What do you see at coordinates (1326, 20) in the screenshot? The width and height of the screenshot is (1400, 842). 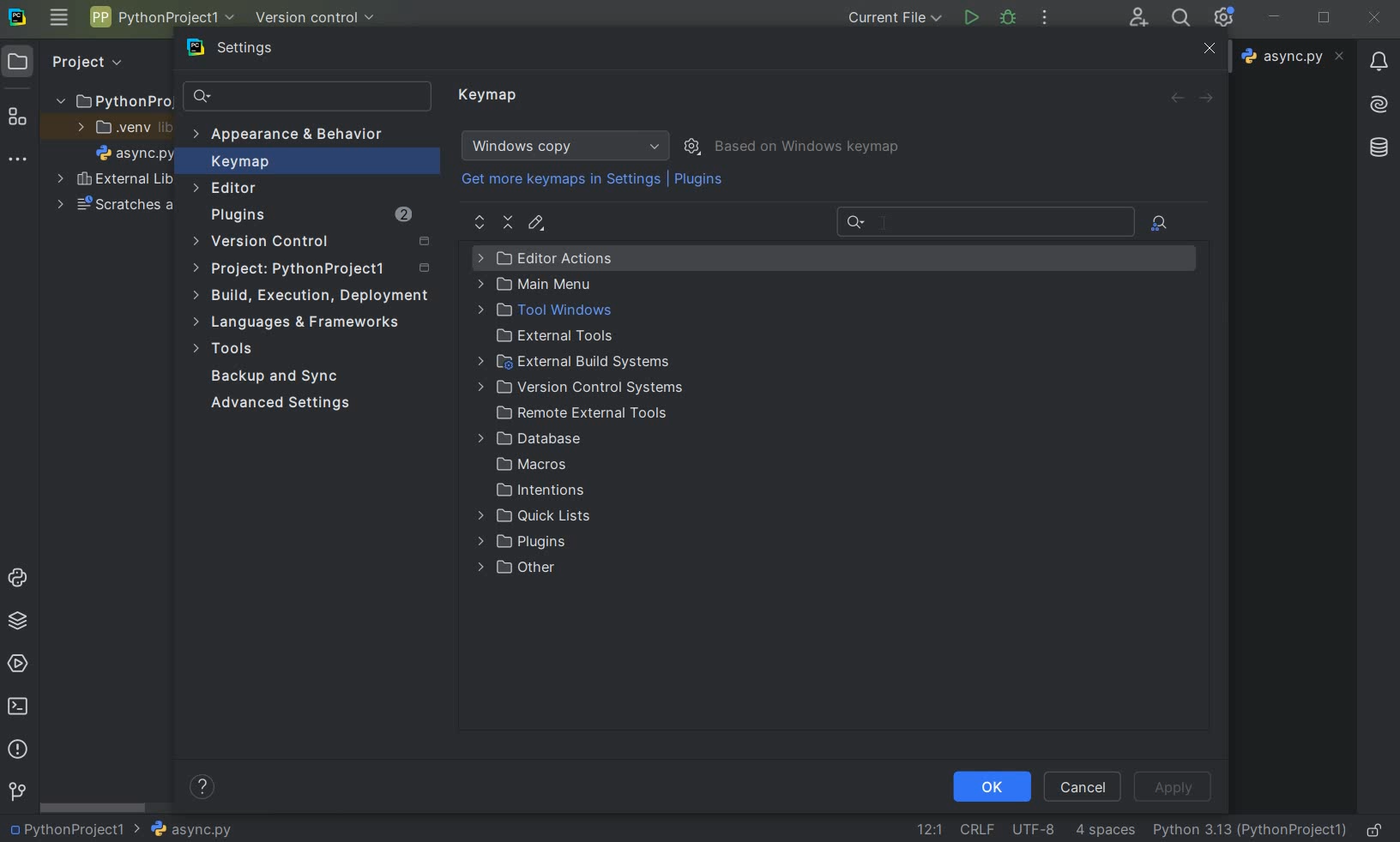 I see `restore down` at bounding box center [1326, 20].